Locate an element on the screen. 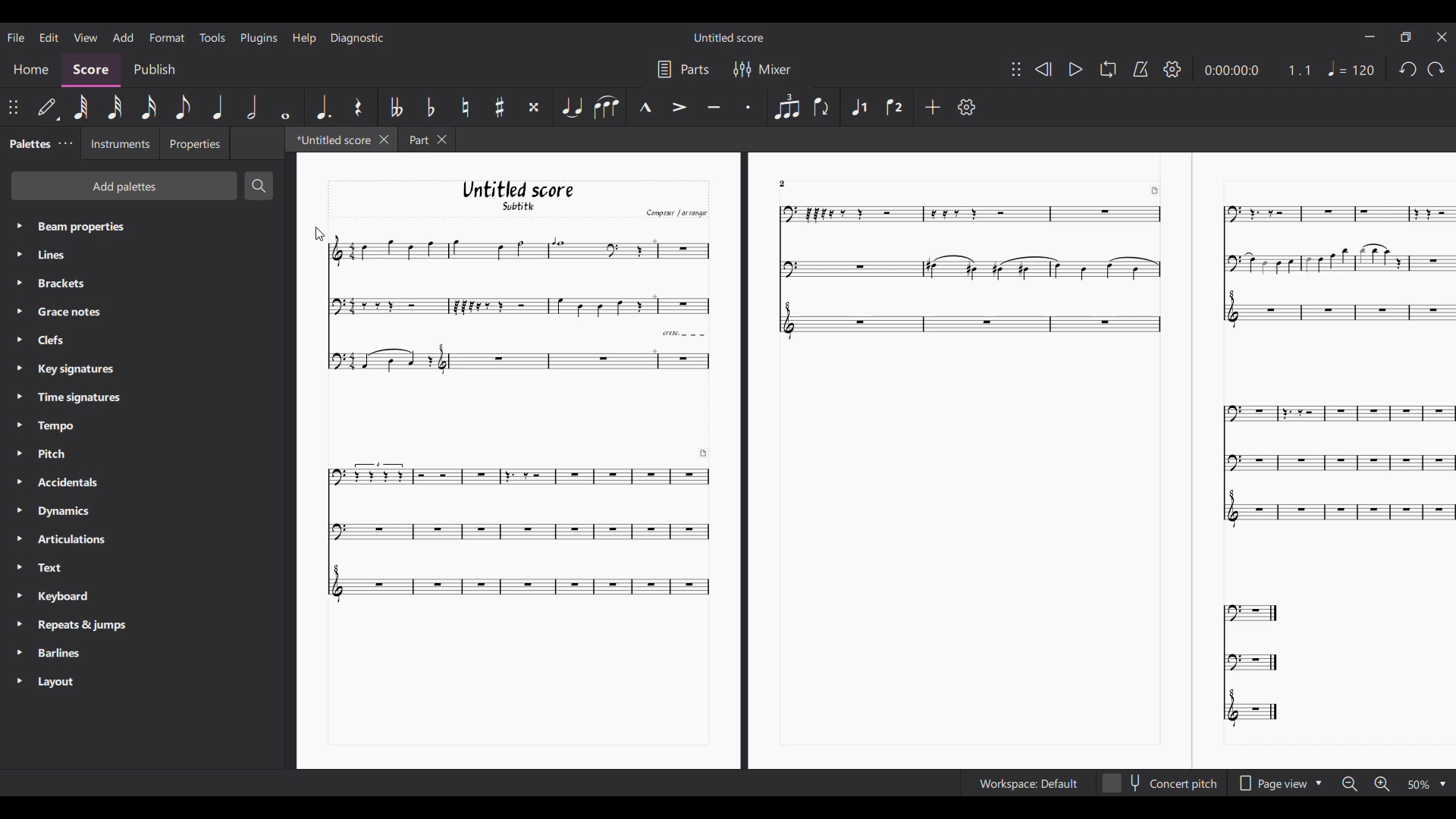 The image size is (1456, 819).  is located at coordinates (972, 319).